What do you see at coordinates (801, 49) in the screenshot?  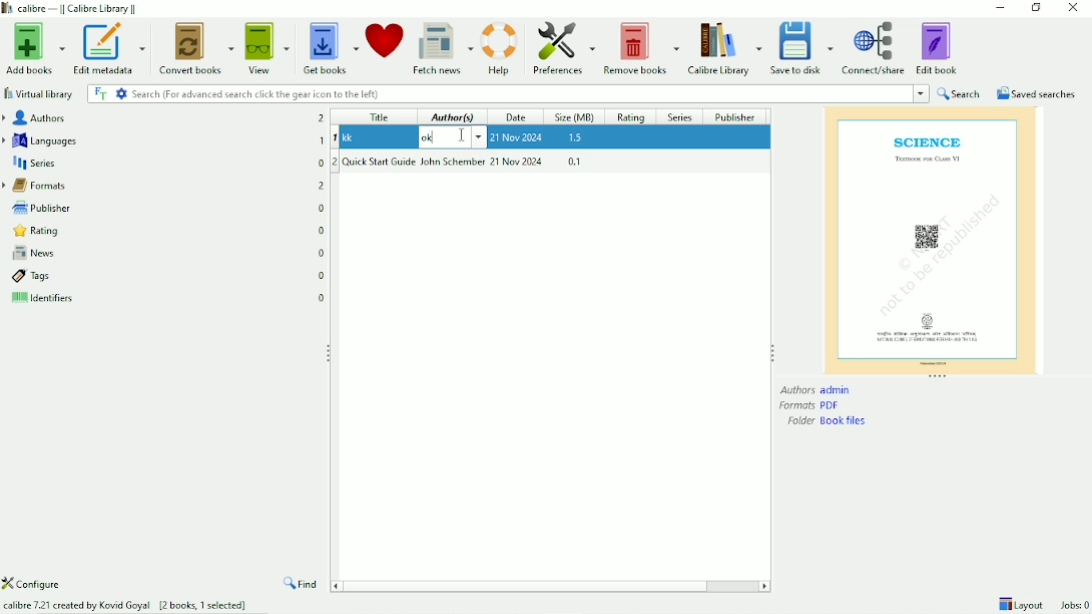 I see `Save to disk` at bounding box center [801, 49].